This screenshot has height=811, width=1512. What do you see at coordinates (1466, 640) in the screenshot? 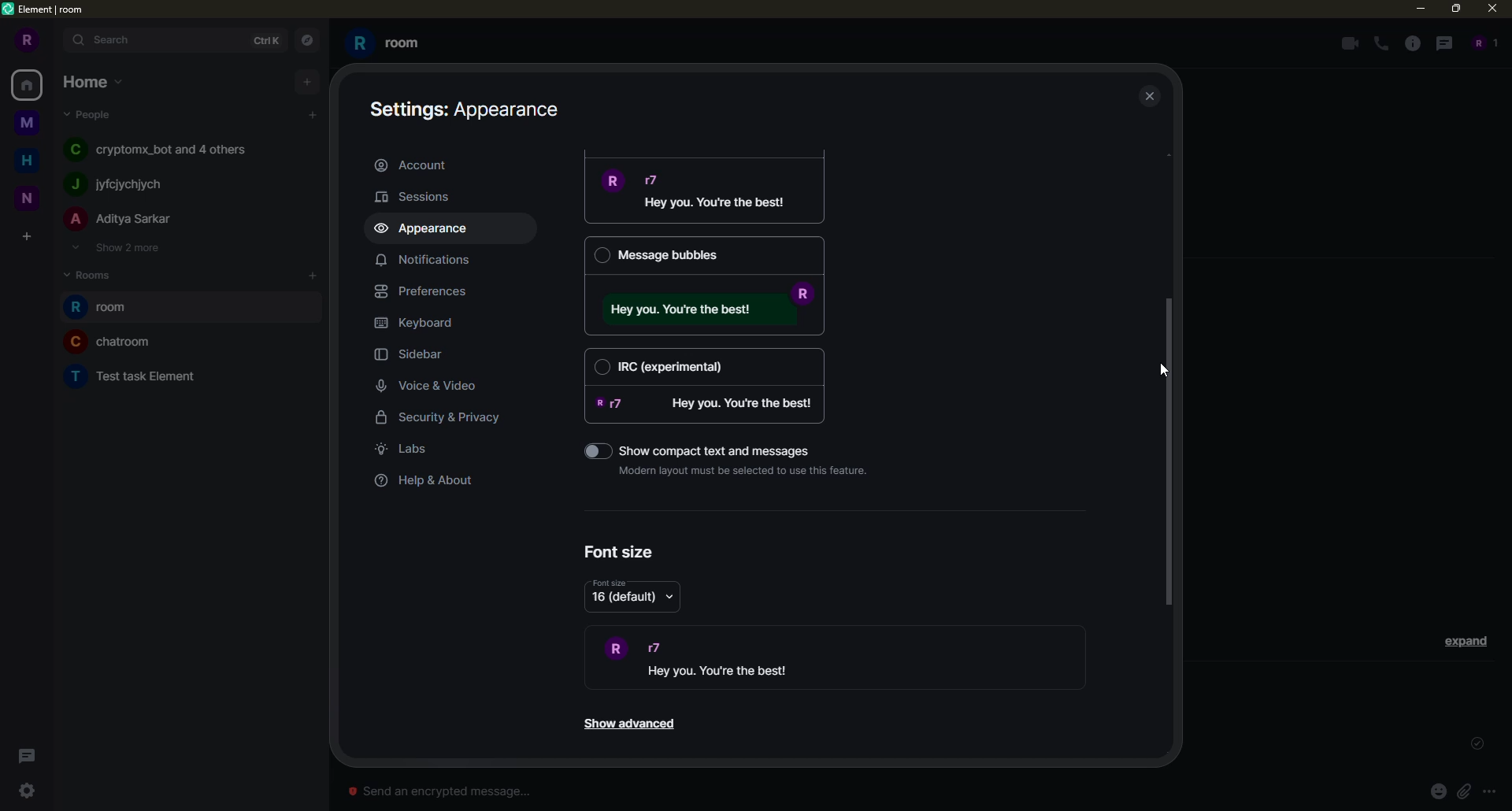
I see `expand` at bounding box center [1466, 640].